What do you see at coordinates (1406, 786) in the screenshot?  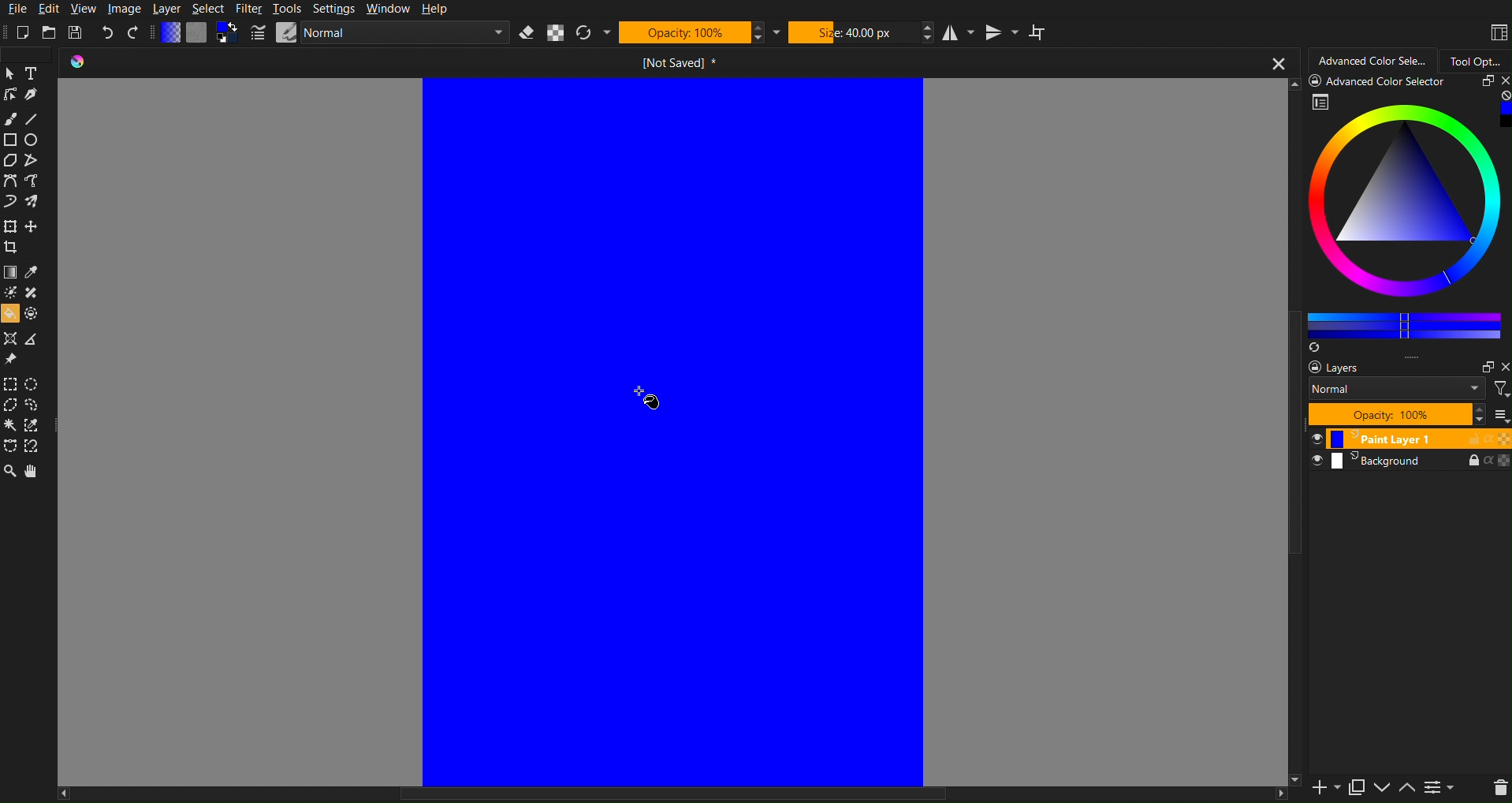 I see `Send Up` at bounding box center [1406, 786].